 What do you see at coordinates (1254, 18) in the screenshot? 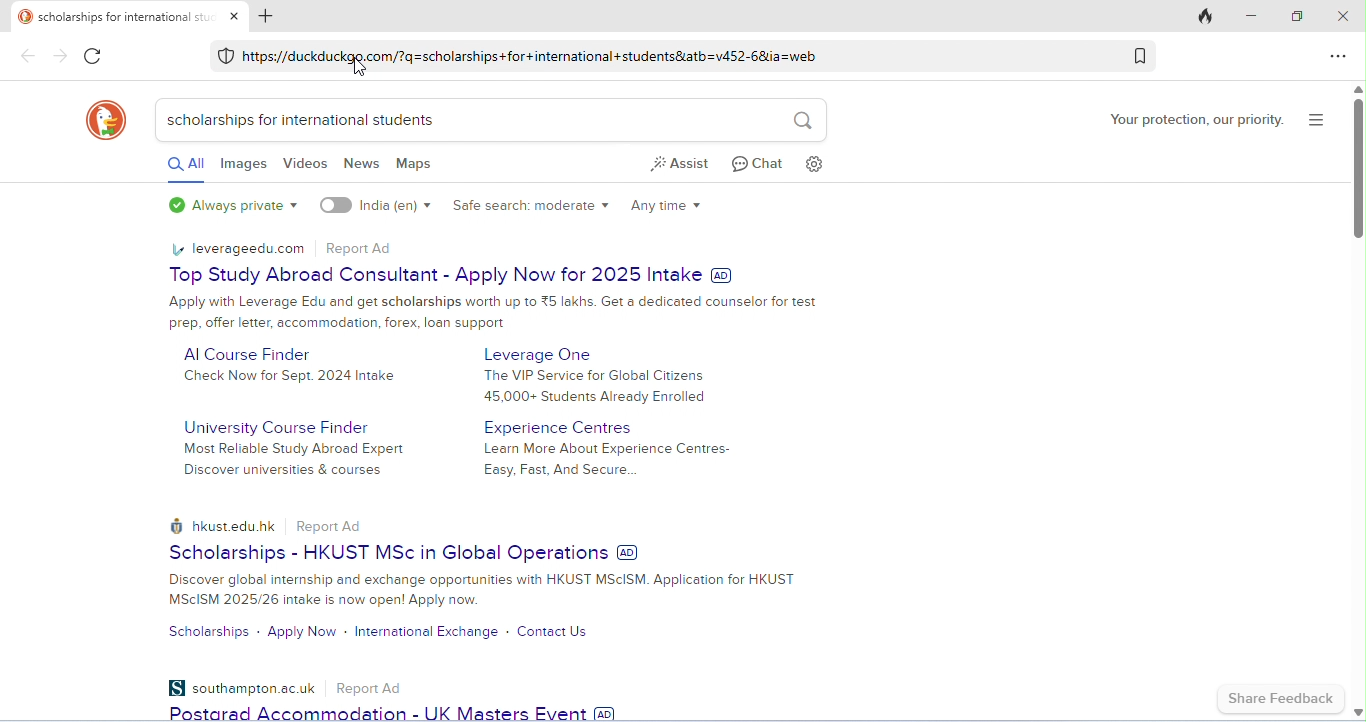
I see `minimize` at bounding box center [1254, 18].